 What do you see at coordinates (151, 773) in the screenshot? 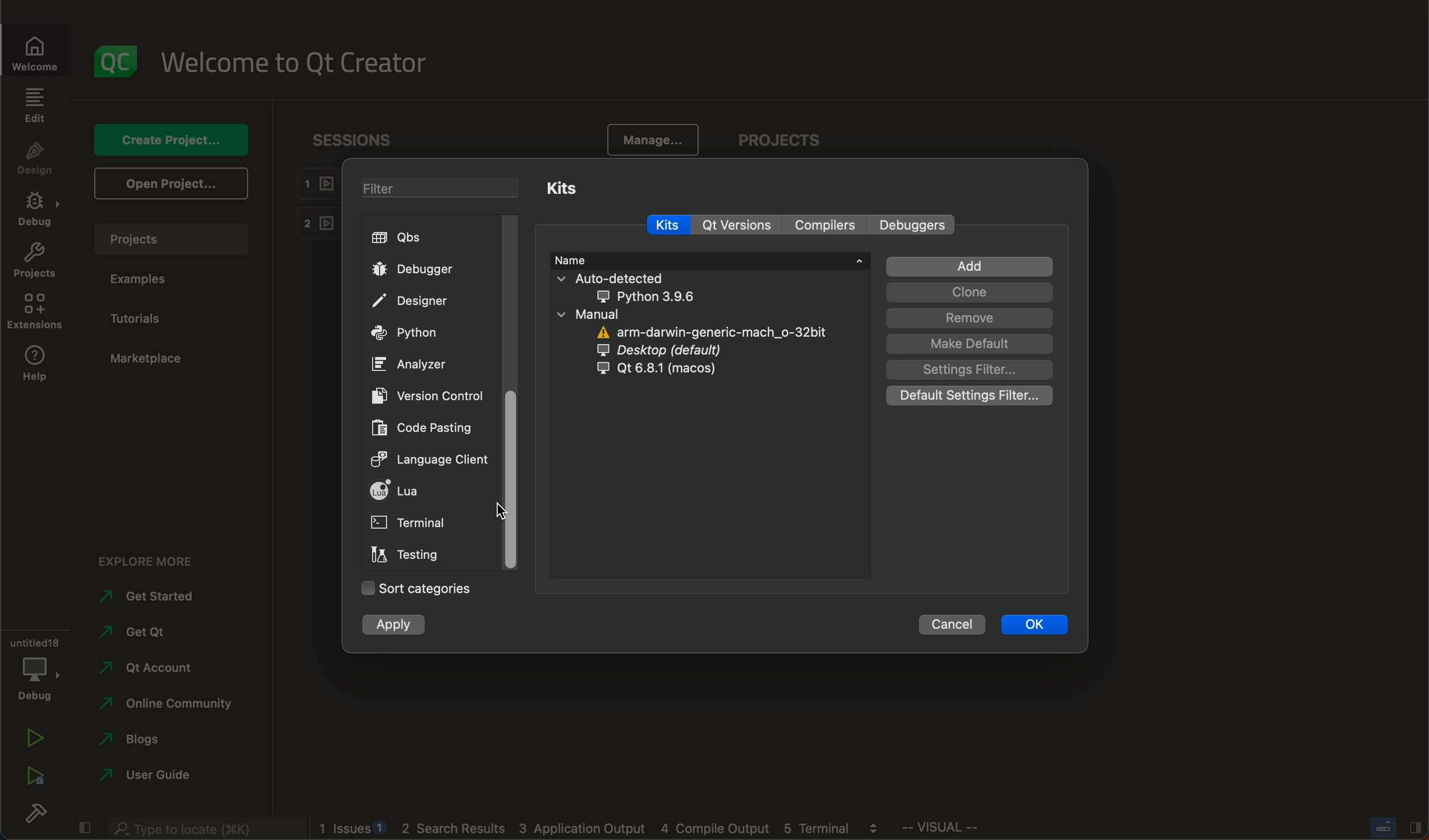
I see `guide` at bounding box center [151, 773].